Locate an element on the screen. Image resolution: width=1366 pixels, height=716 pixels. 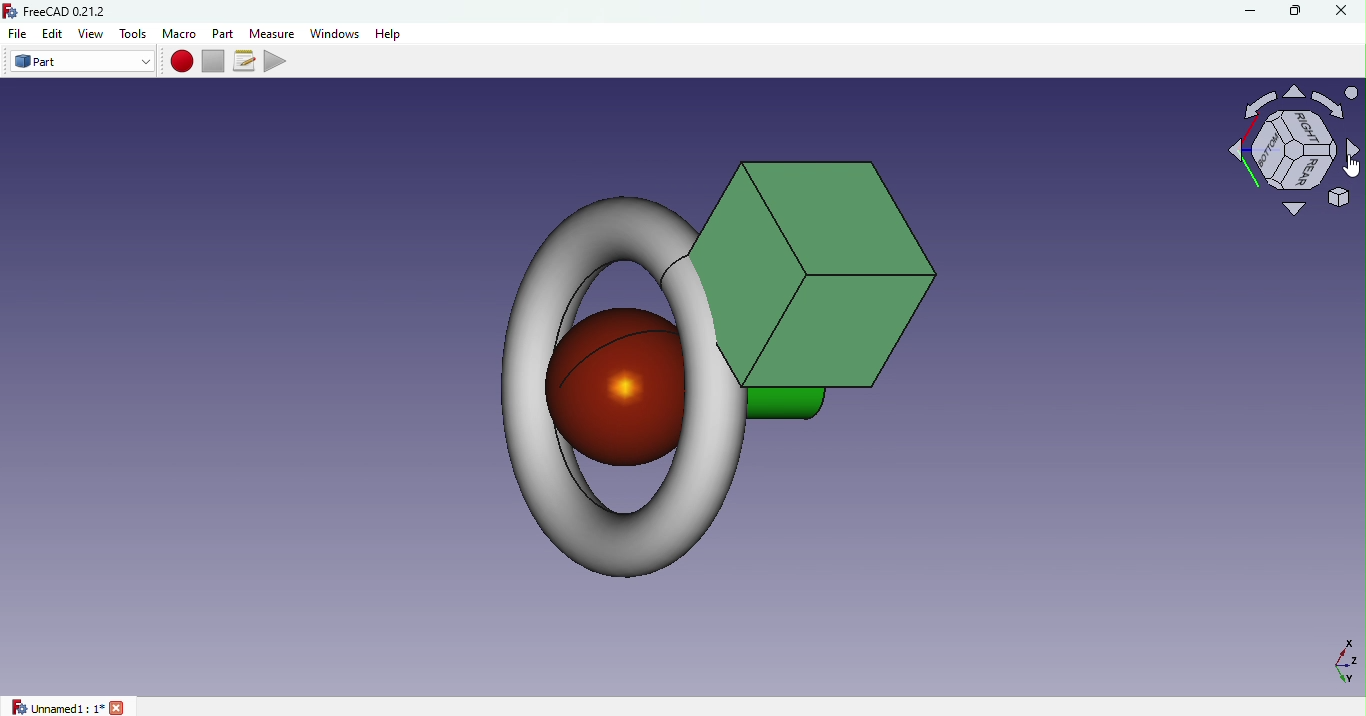
View is located at coordinates (91, 33).